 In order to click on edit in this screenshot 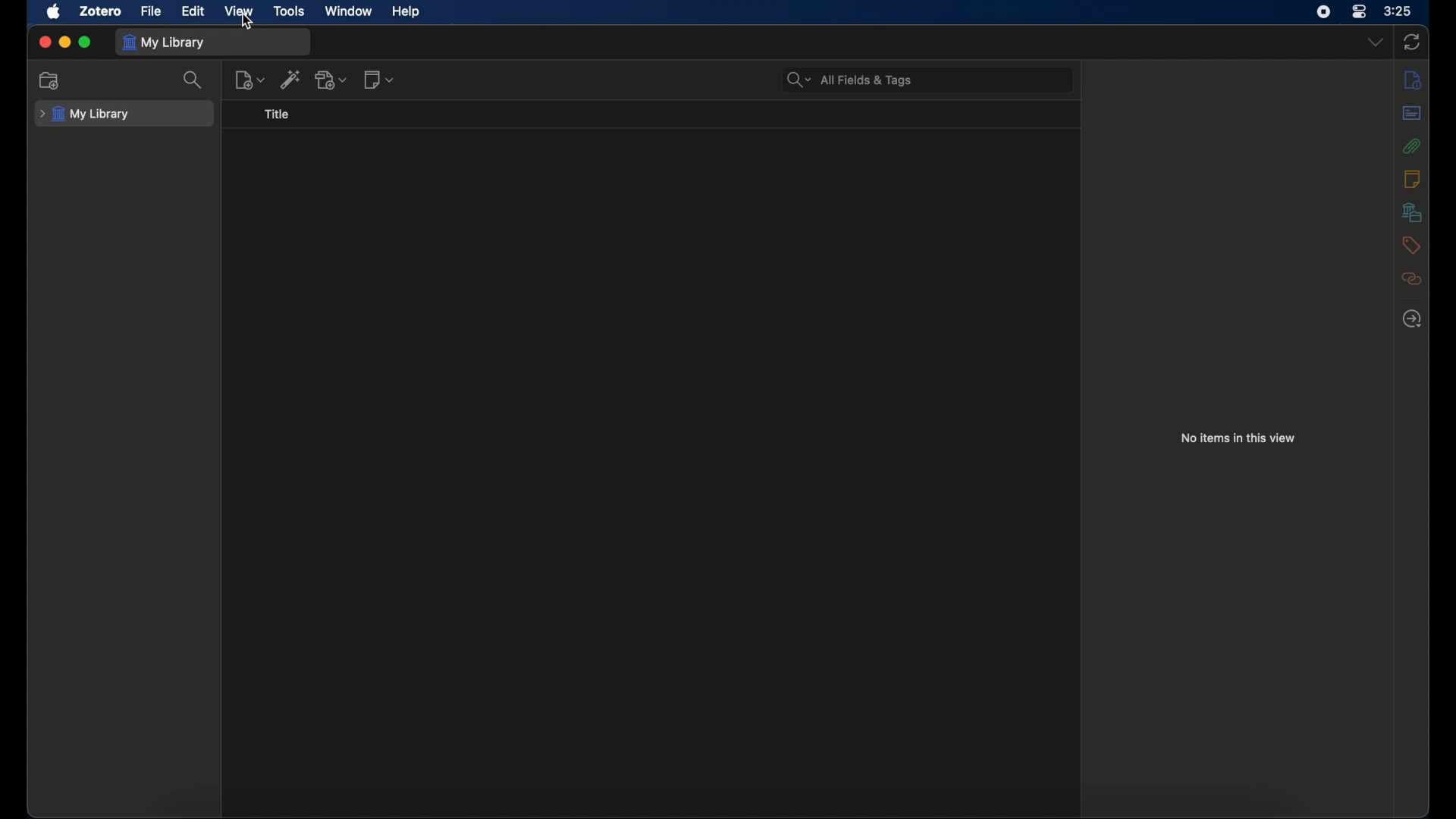, I will do `click(192, 11)`.